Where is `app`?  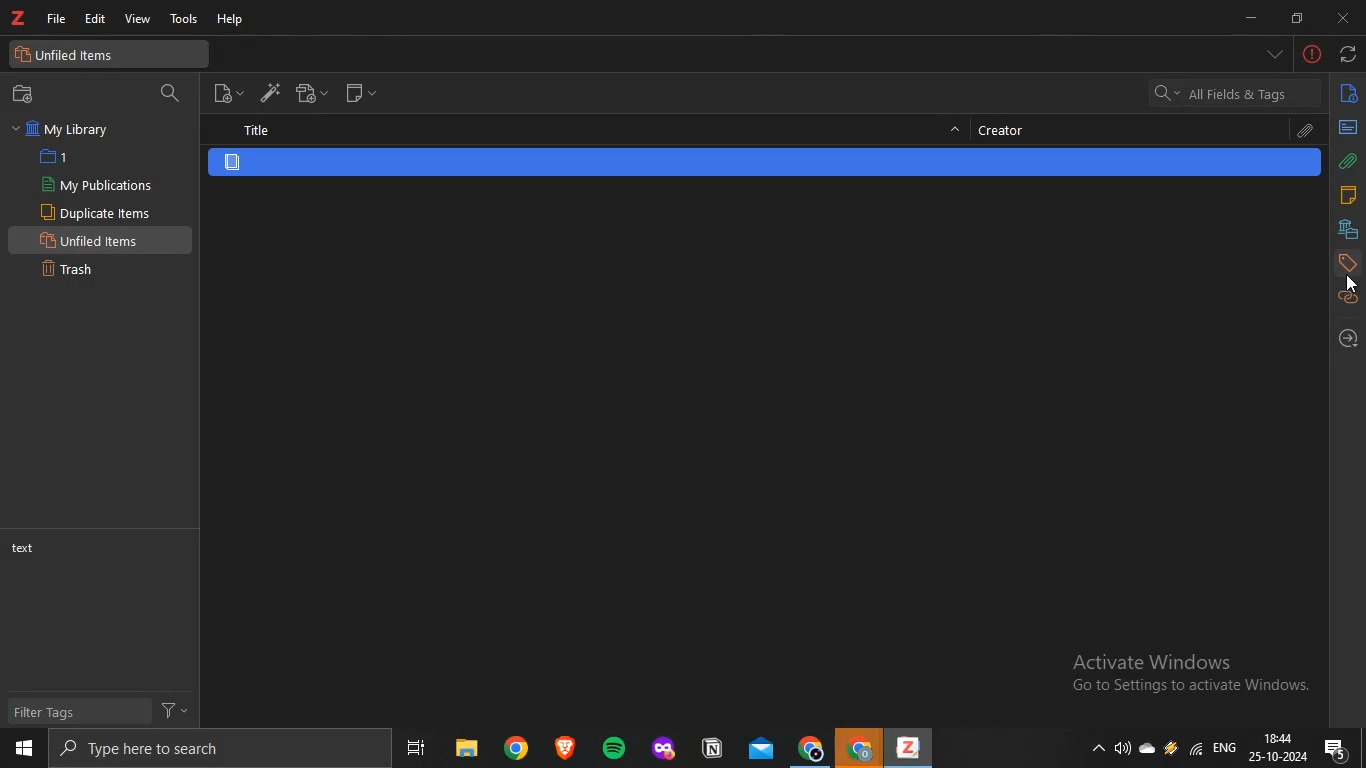
app is located at coordinates (667, 749).